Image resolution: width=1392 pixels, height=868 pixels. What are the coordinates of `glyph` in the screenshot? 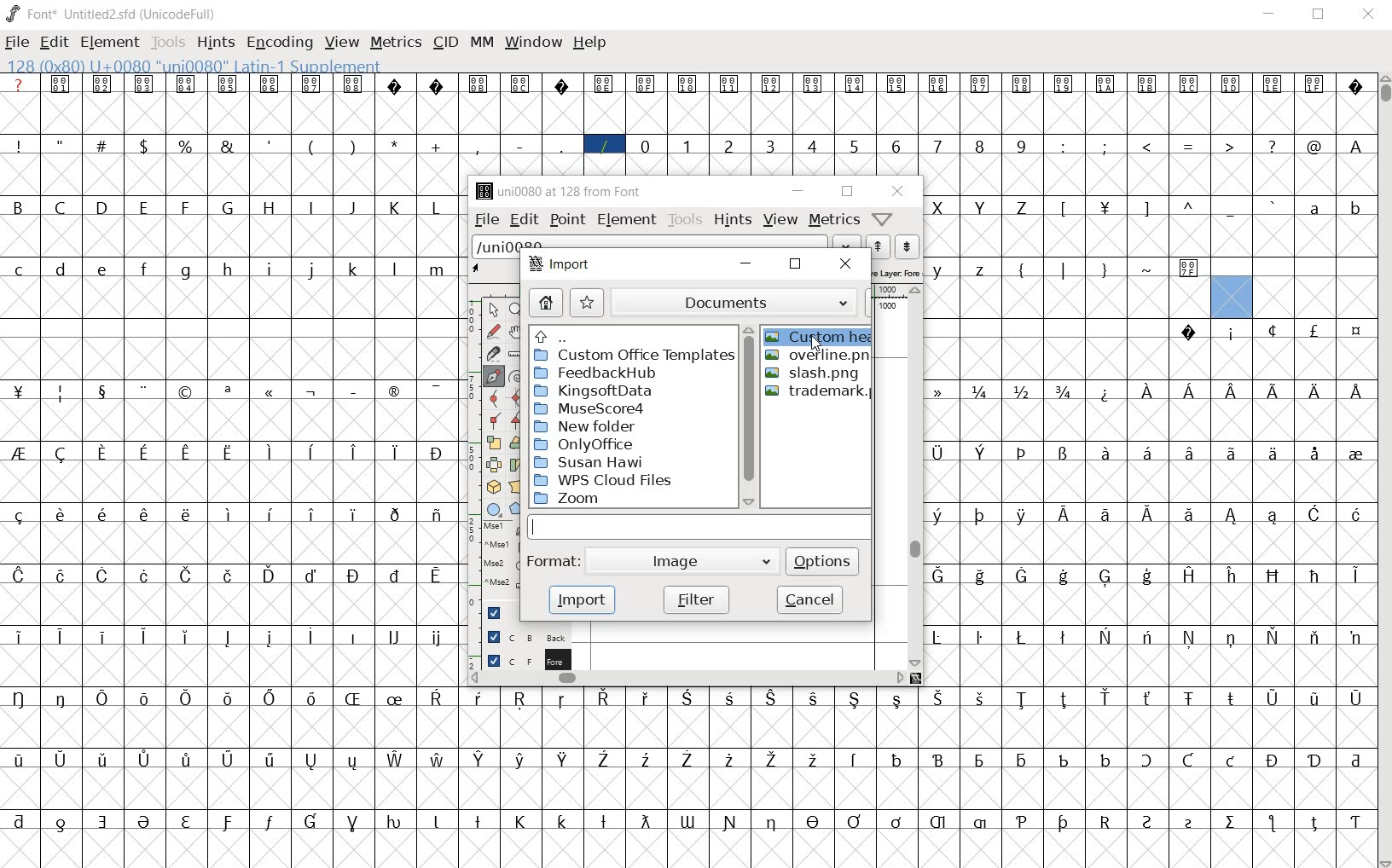 It's located at (103, 514).